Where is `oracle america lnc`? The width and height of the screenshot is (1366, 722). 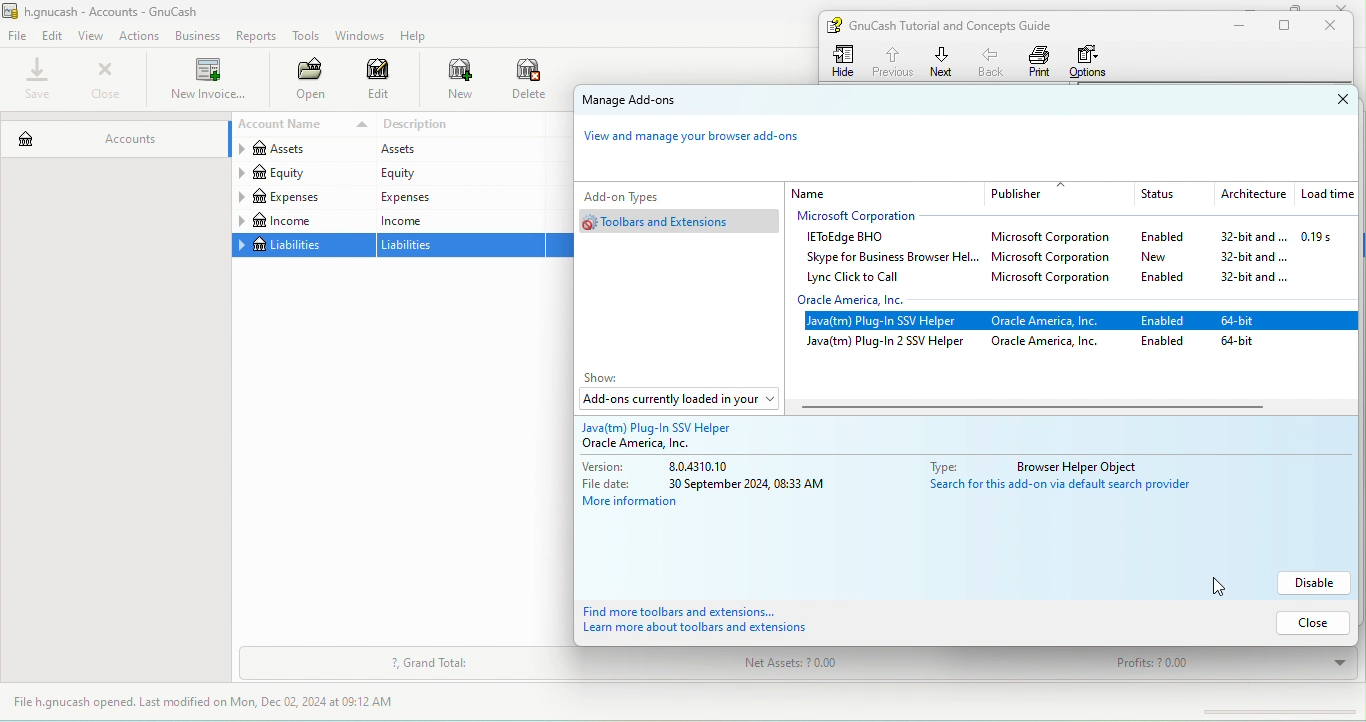 oracle america lnc is located at coordinates (1051, 343).